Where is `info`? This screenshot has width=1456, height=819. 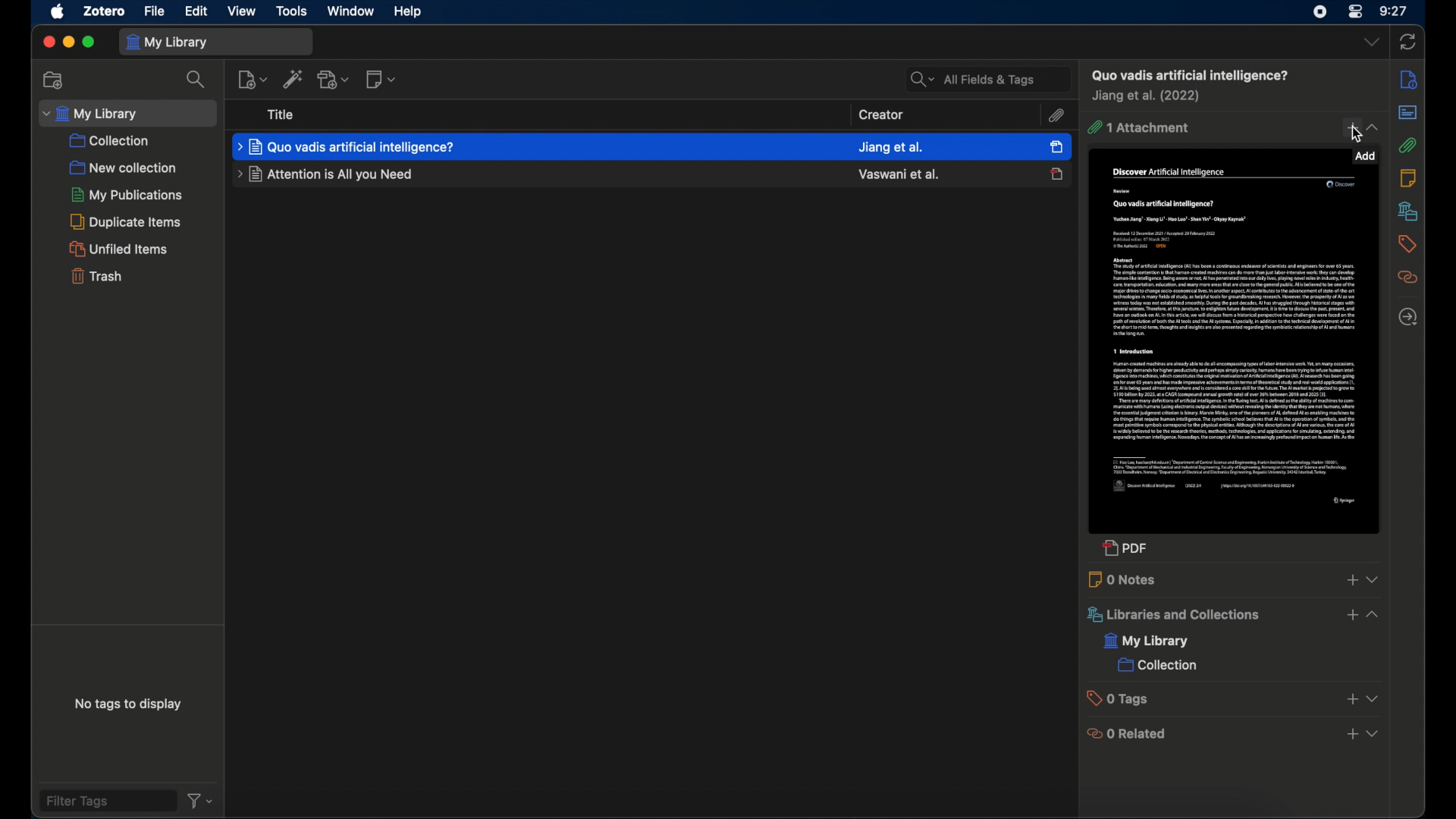
info is located at coordinates (1408, 79).